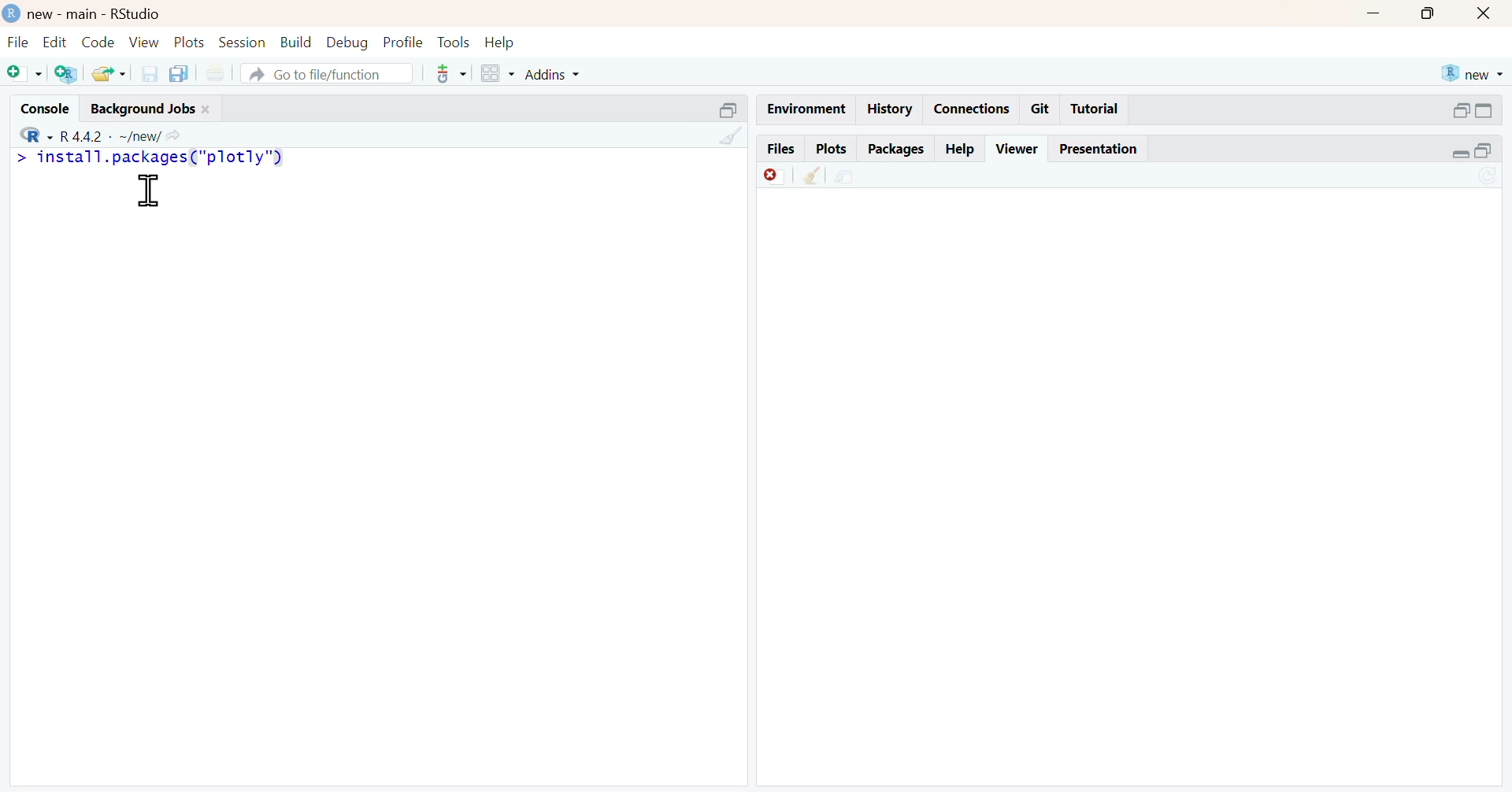  Describe the element at coordinates (812, 176) in the screenshot. I see `clear all viewer items` at that location.